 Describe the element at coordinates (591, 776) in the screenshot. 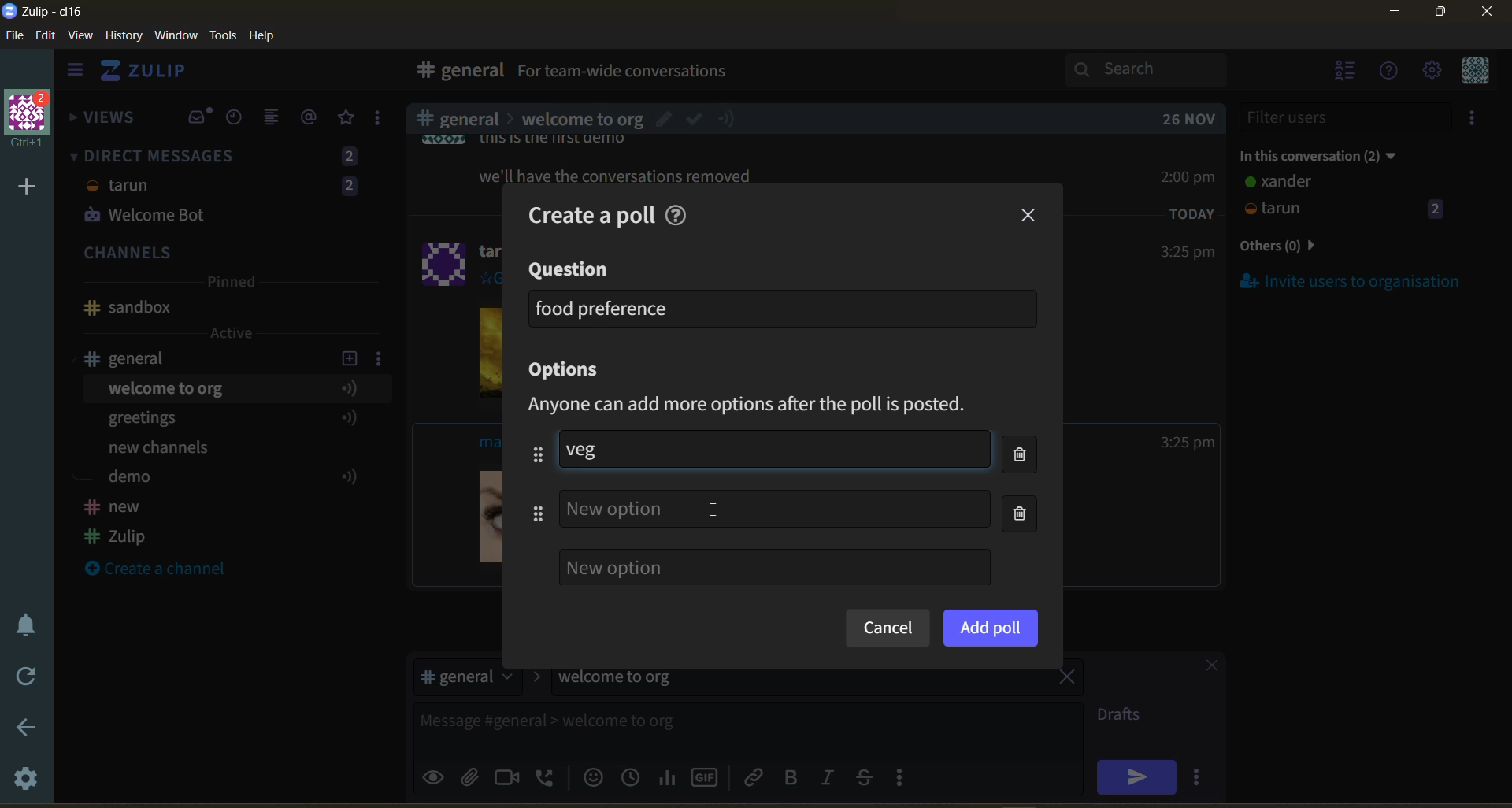

I see `add emoji` at that location.